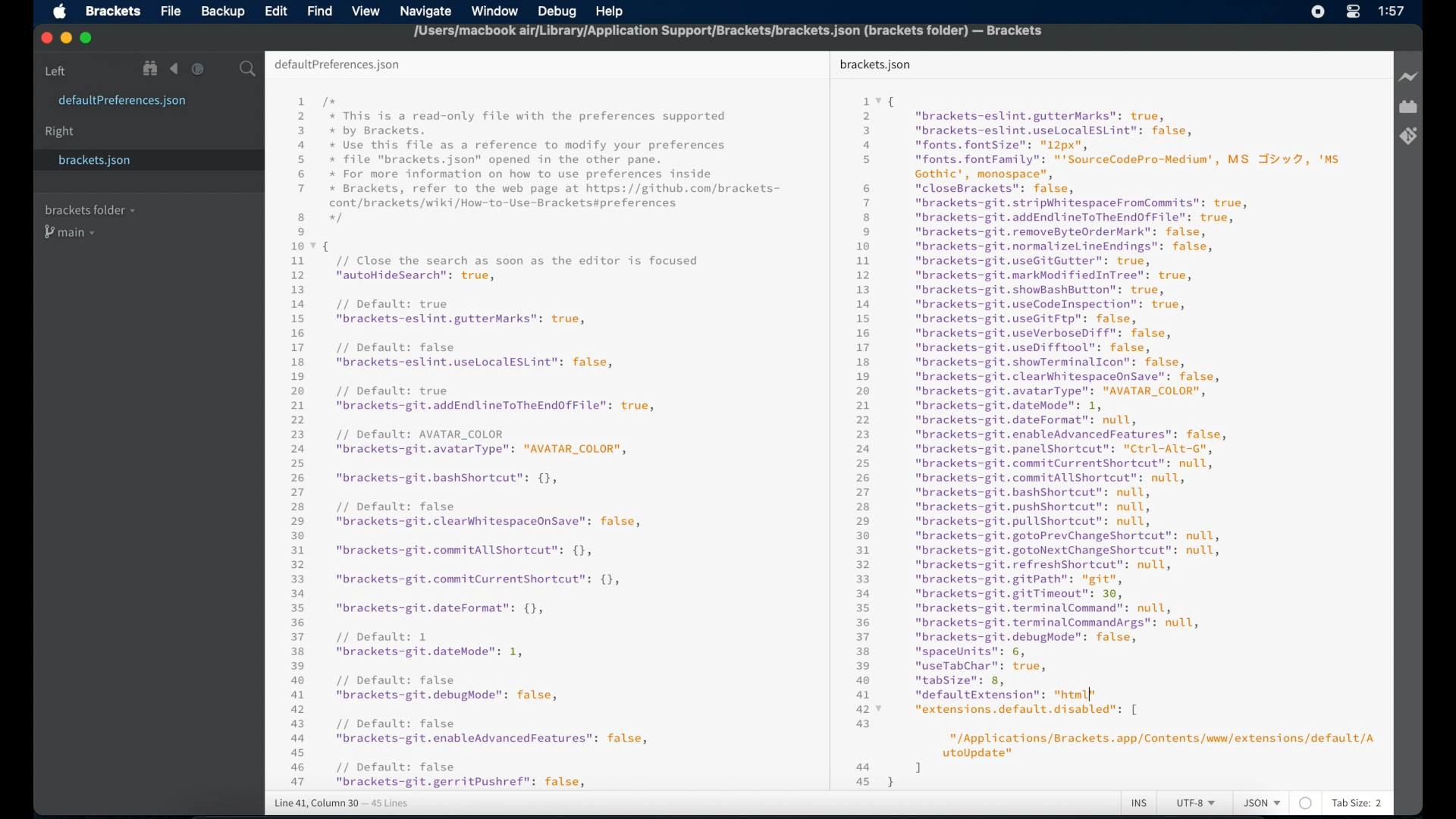  I want to click on json, so click(1262, 804).